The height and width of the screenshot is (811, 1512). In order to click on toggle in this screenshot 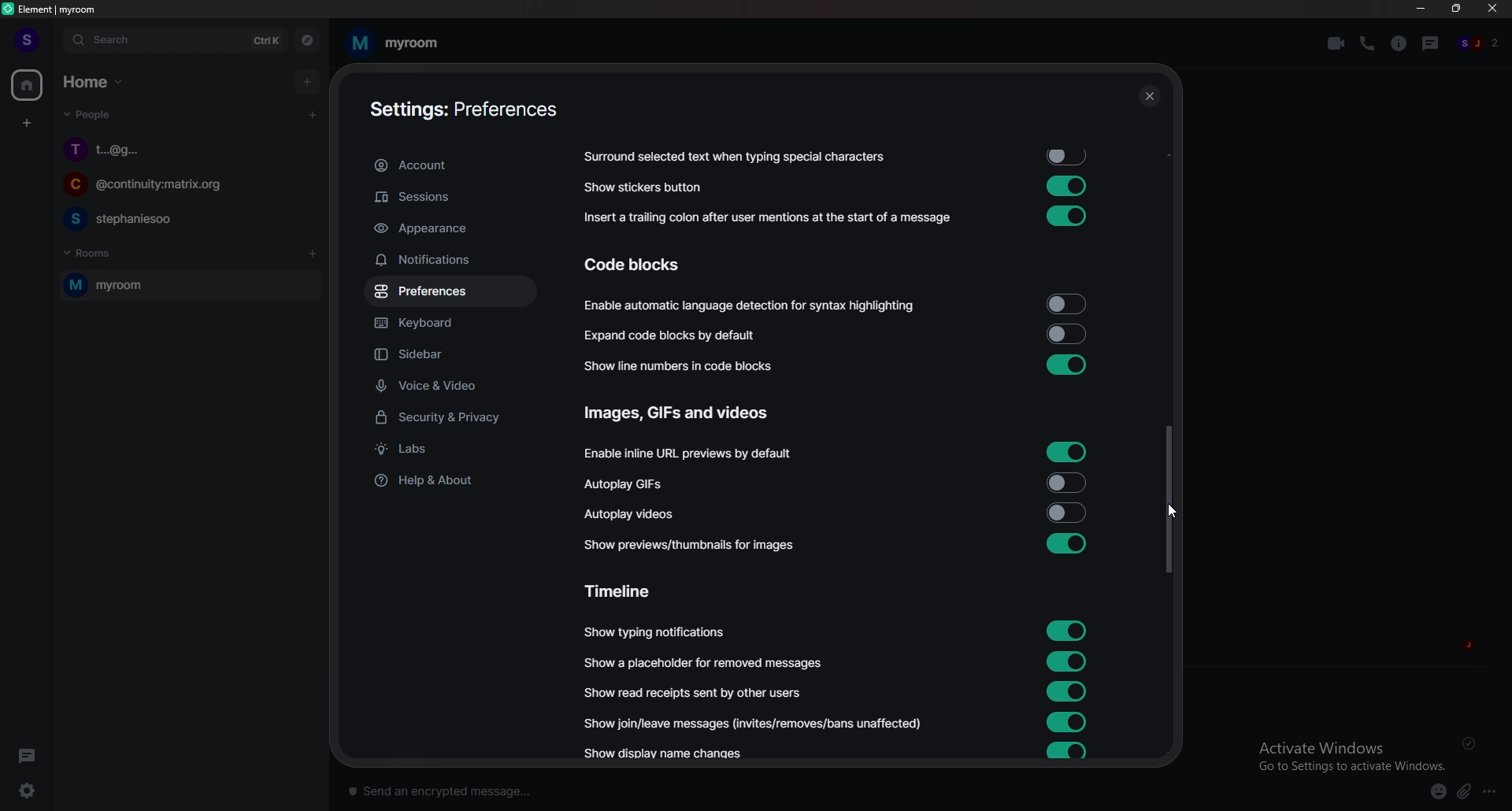, I will do `click(1066, 364)`.